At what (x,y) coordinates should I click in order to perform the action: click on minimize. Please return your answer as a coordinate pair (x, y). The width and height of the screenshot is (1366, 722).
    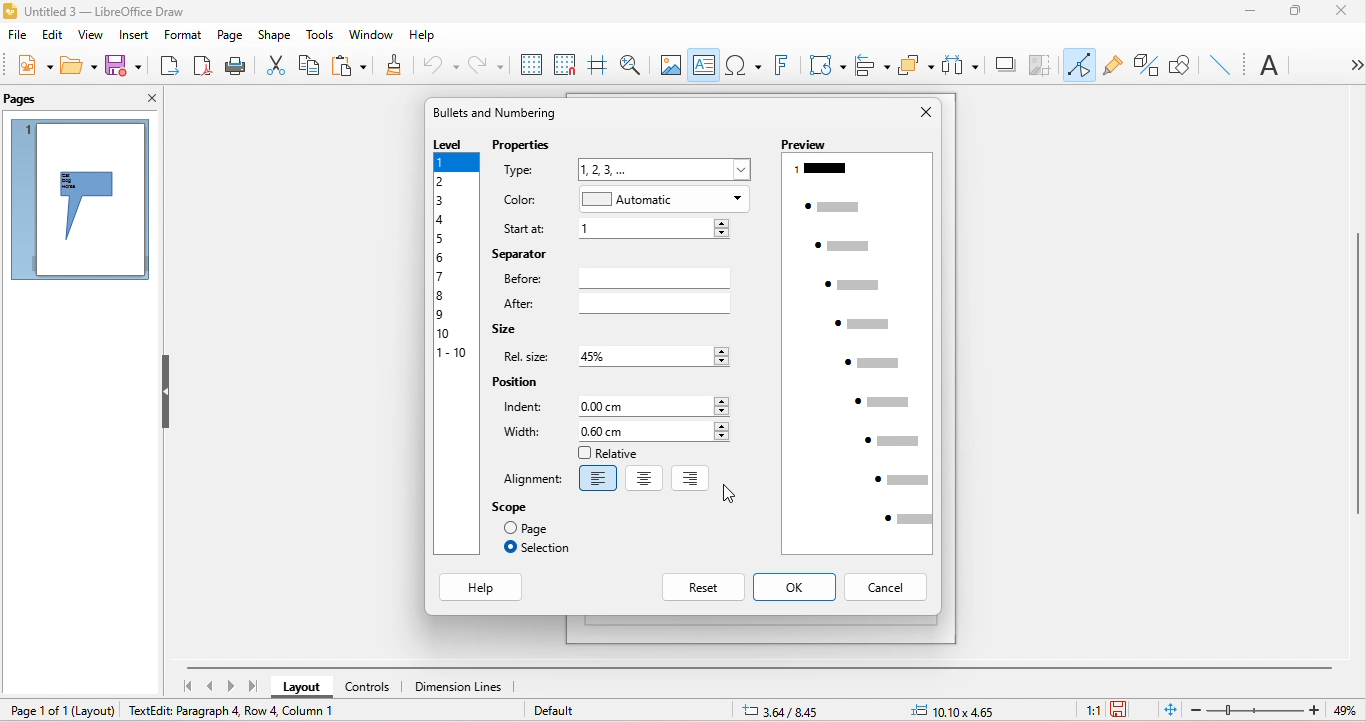
    Looking at the image, I should click on (1250, 12).